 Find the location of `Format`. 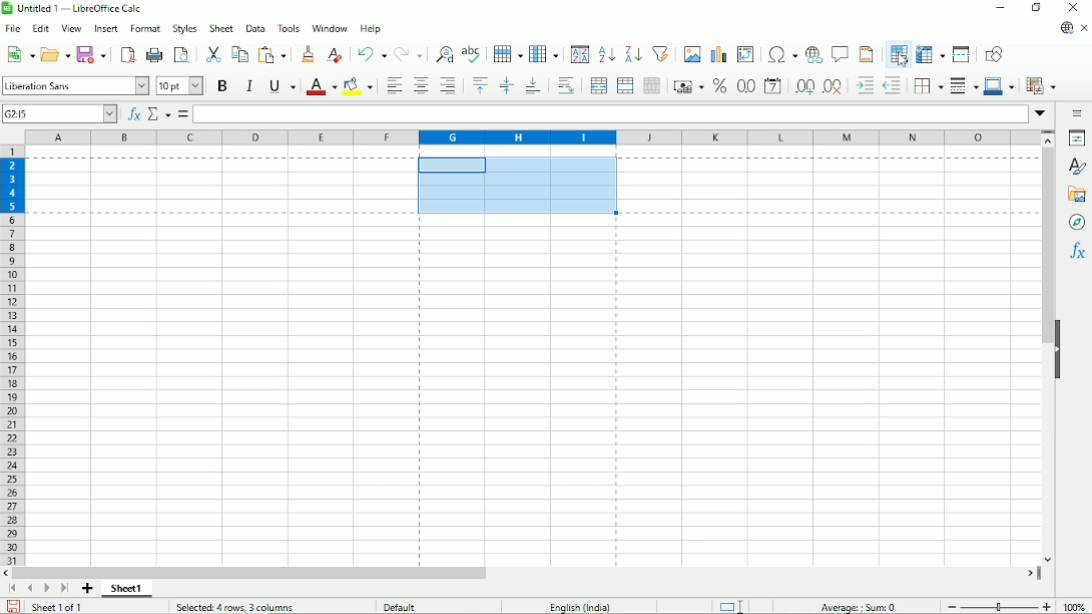

Format is located at coordinates (145, 29).